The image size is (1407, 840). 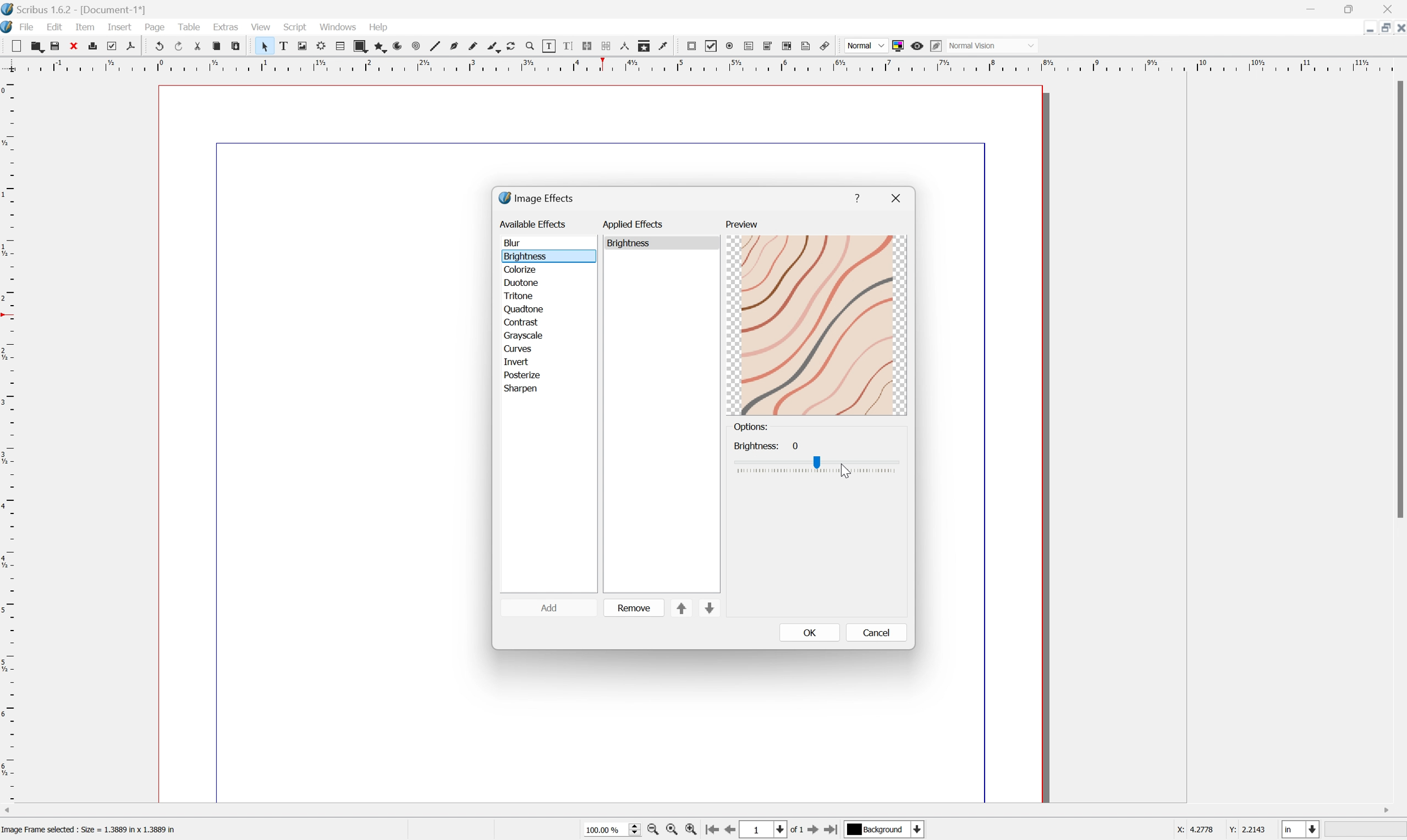 I want to click on New, so click(x=12, y=44).